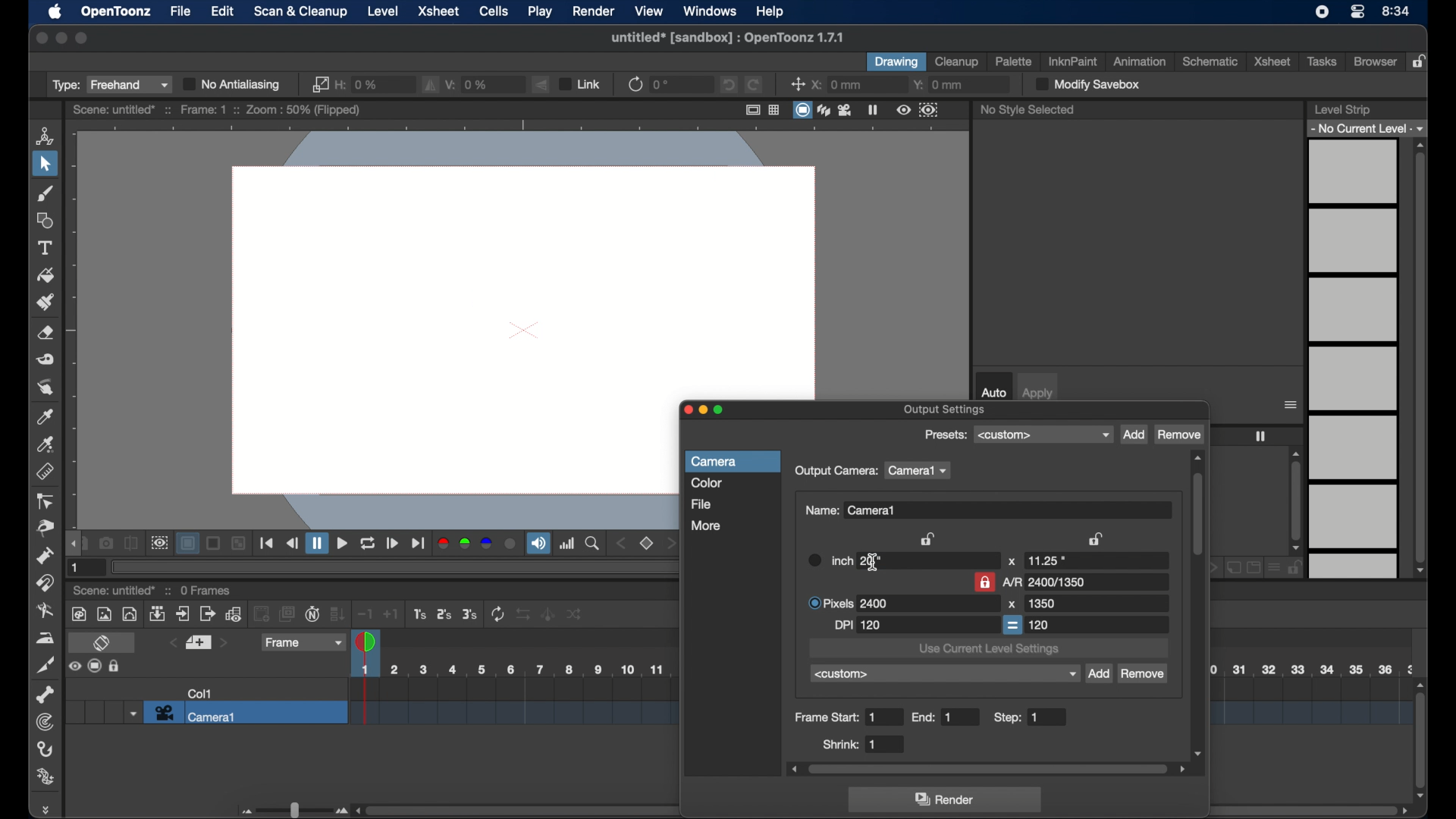  What do you see at coordinates (726, 37) in the screenshot?
I see `file name` at bounding box center [726, 37].